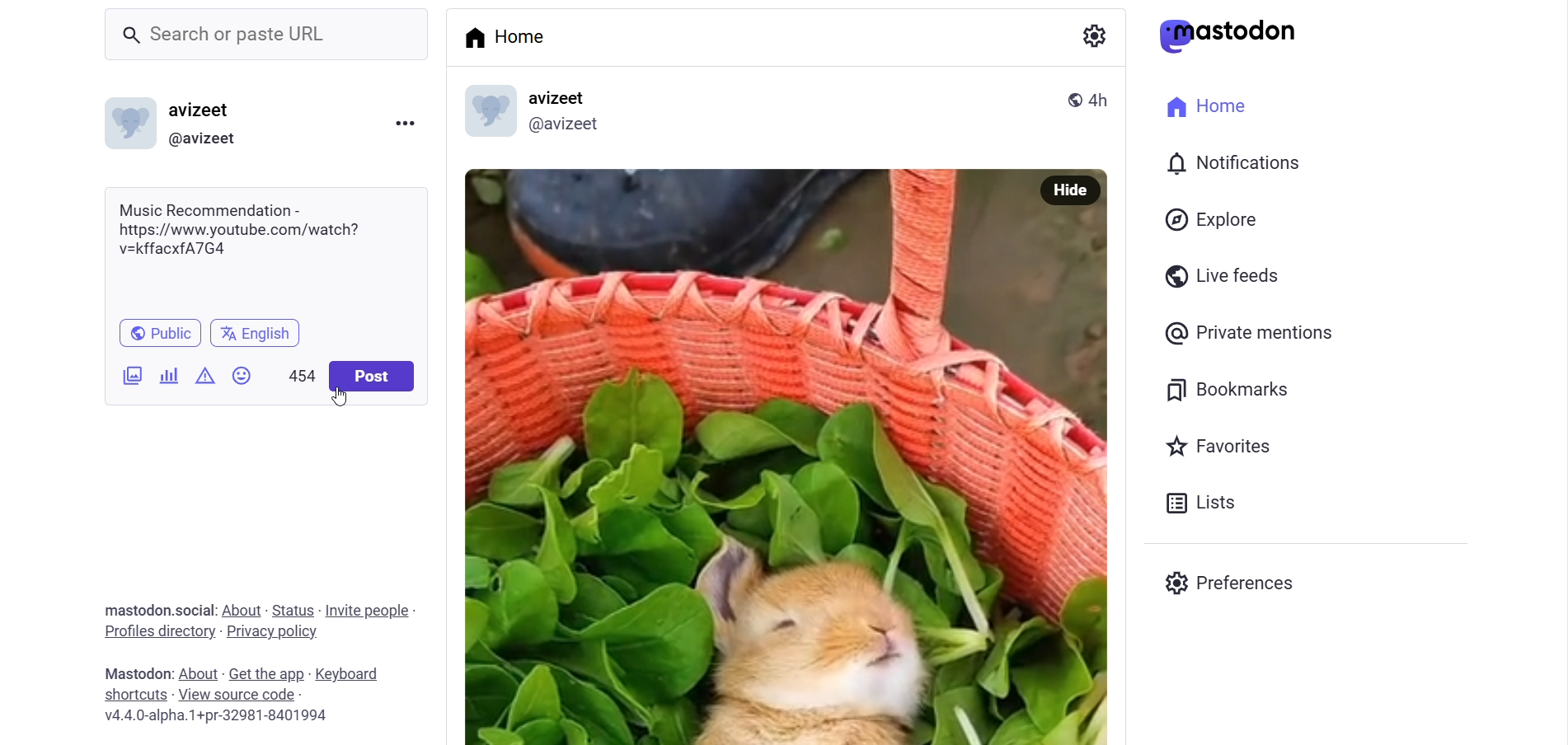 The image size is (1568, 745). I want to click on about, so click(200, 672).